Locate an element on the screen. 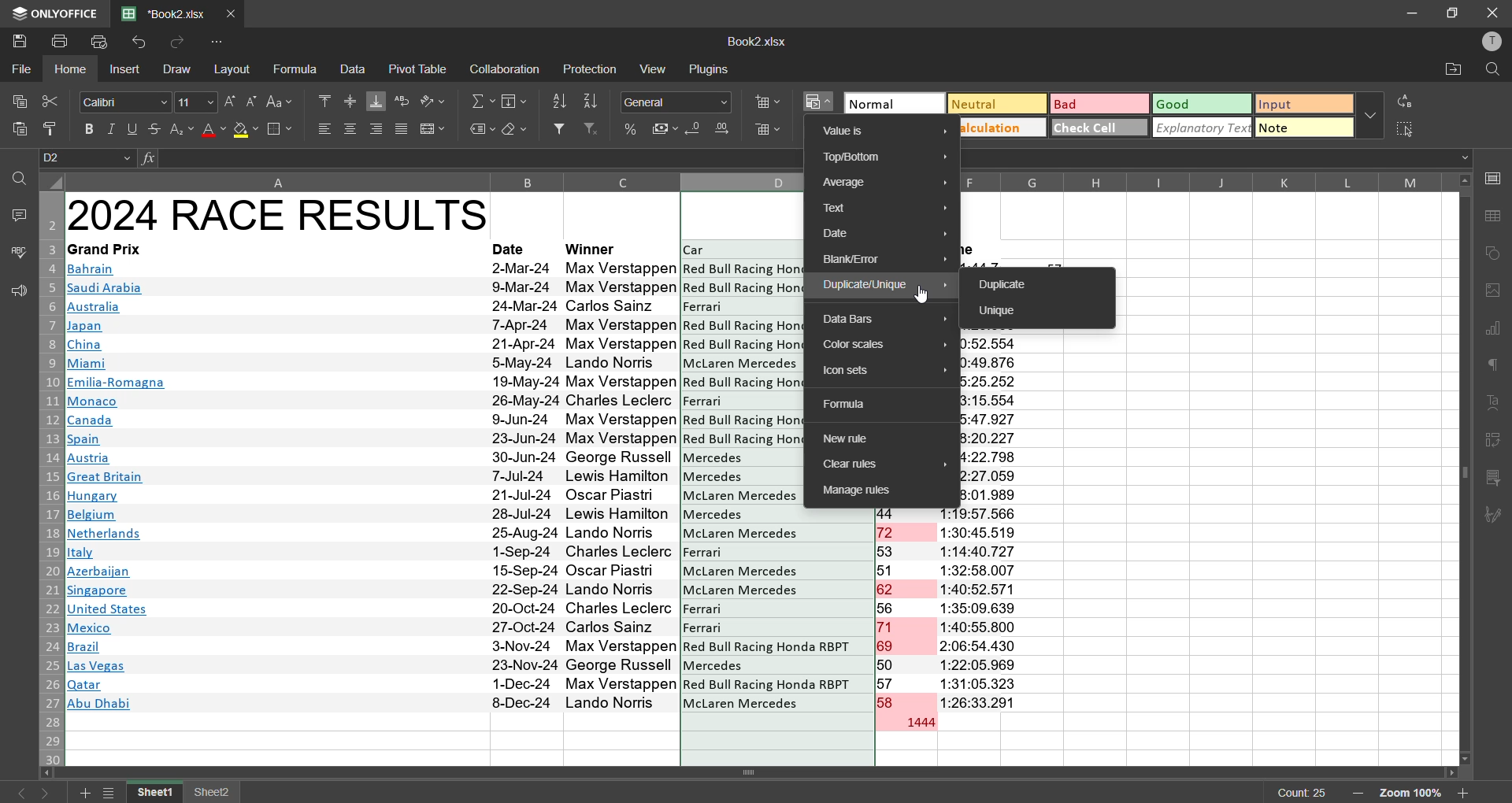  cursor is located at coordinates (924, 295).